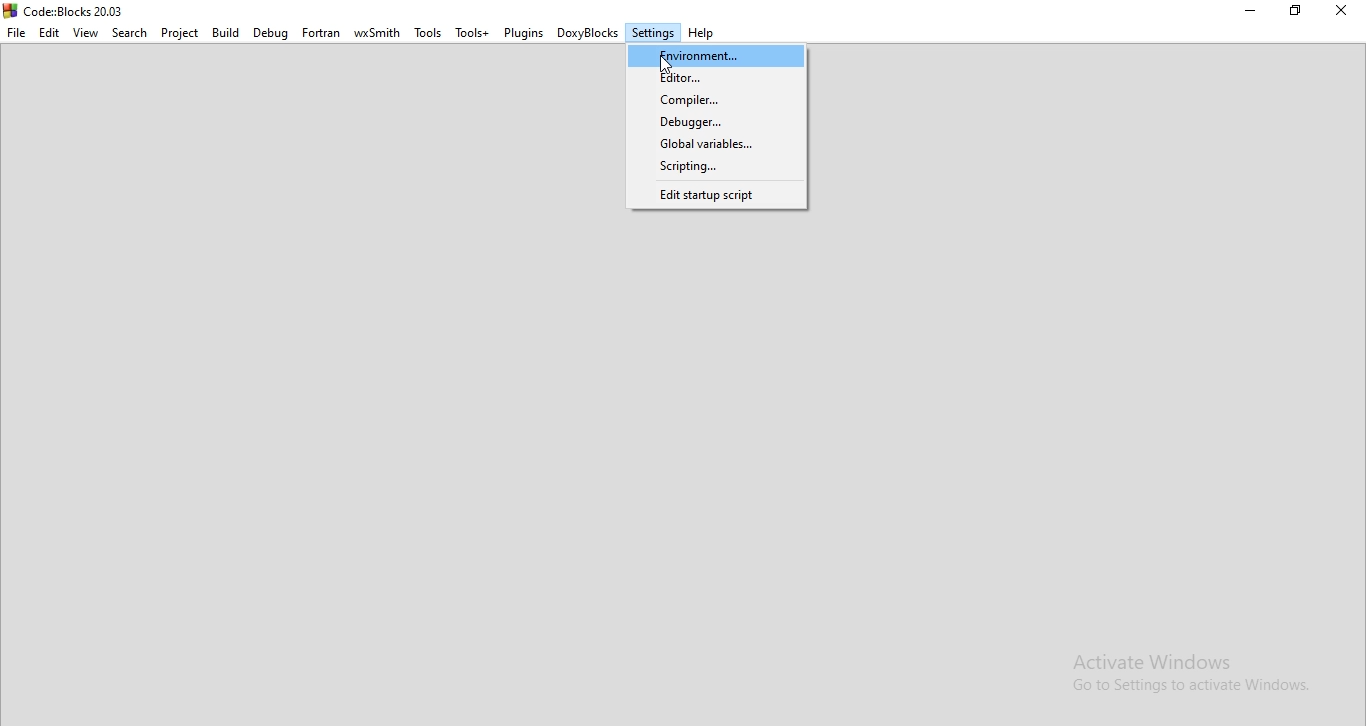 This screenshot has height=726, width=1366. What do you see at coordinates (715, 196) in the screenshot?
I see `Edit startup script` at bounding box center [715, 196].